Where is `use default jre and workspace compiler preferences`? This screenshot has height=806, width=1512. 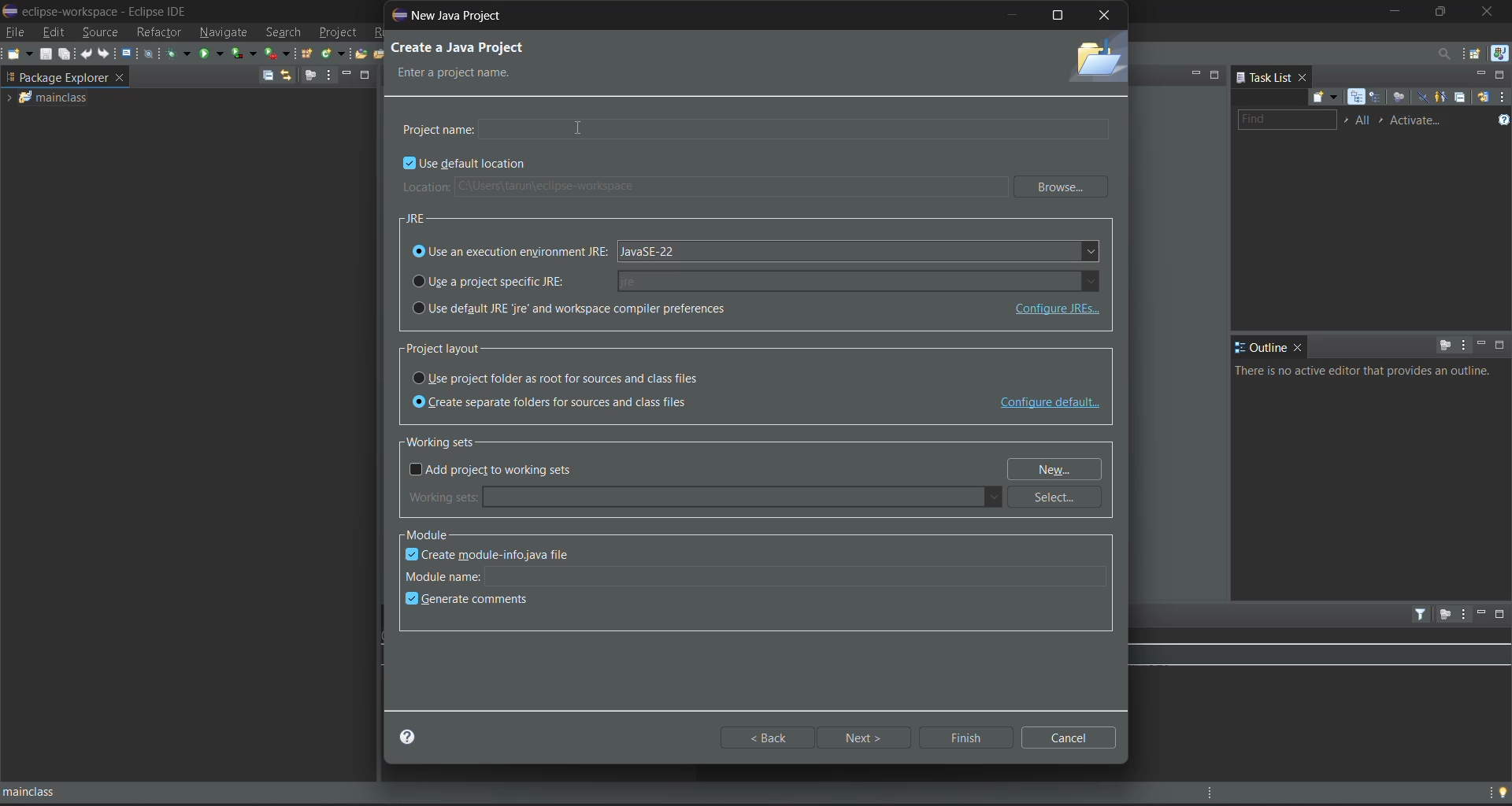
use default jre and workspace compiler preferences is located at coordinates (664, 309).